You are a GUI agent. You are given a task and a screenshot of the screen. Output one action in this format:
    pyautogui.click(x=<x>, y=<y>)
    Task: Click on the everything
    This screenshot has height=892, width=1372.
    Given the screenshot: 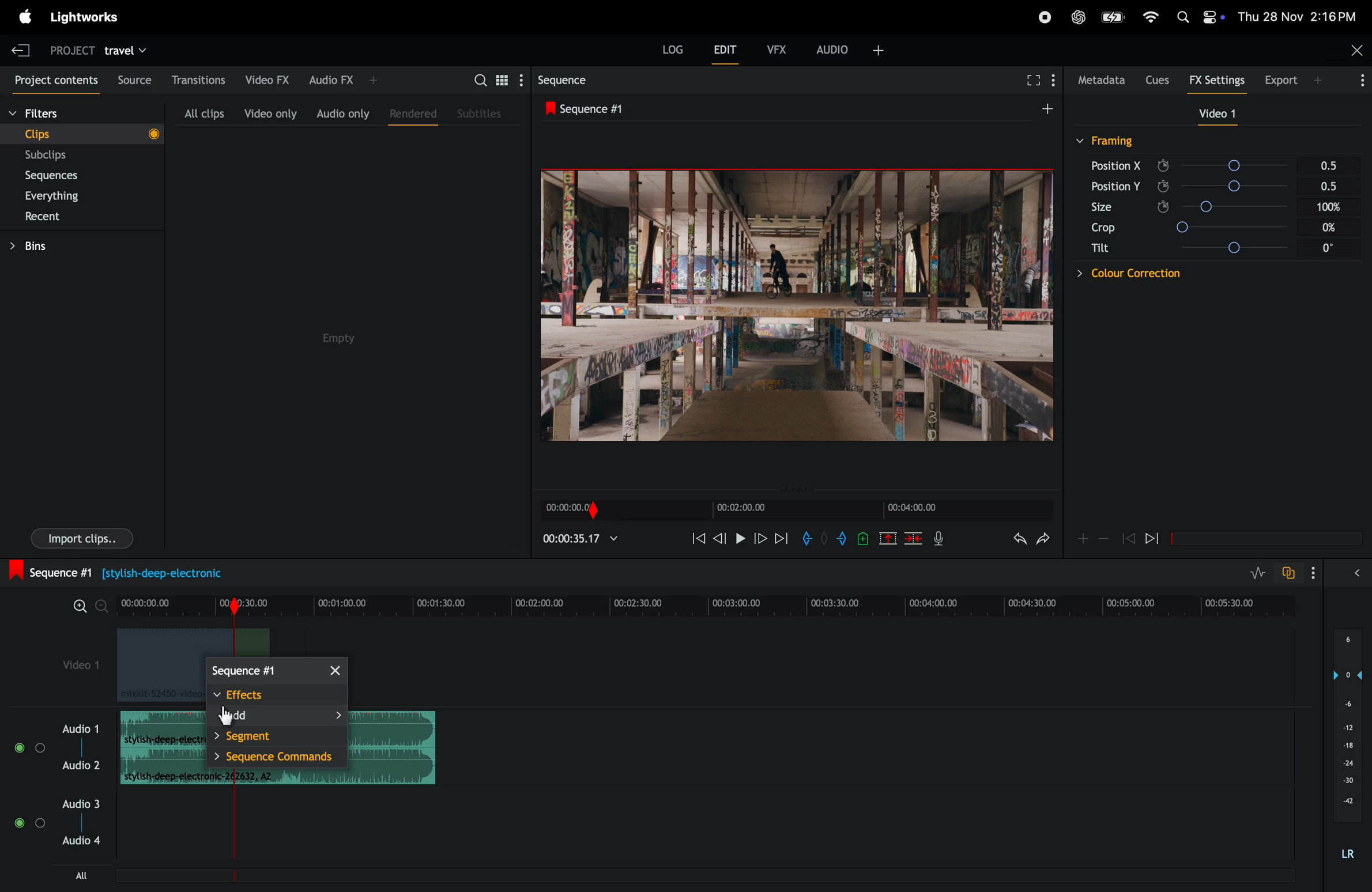 What is the action you would take?
    pyautogui.click(x=62, y=196)
    